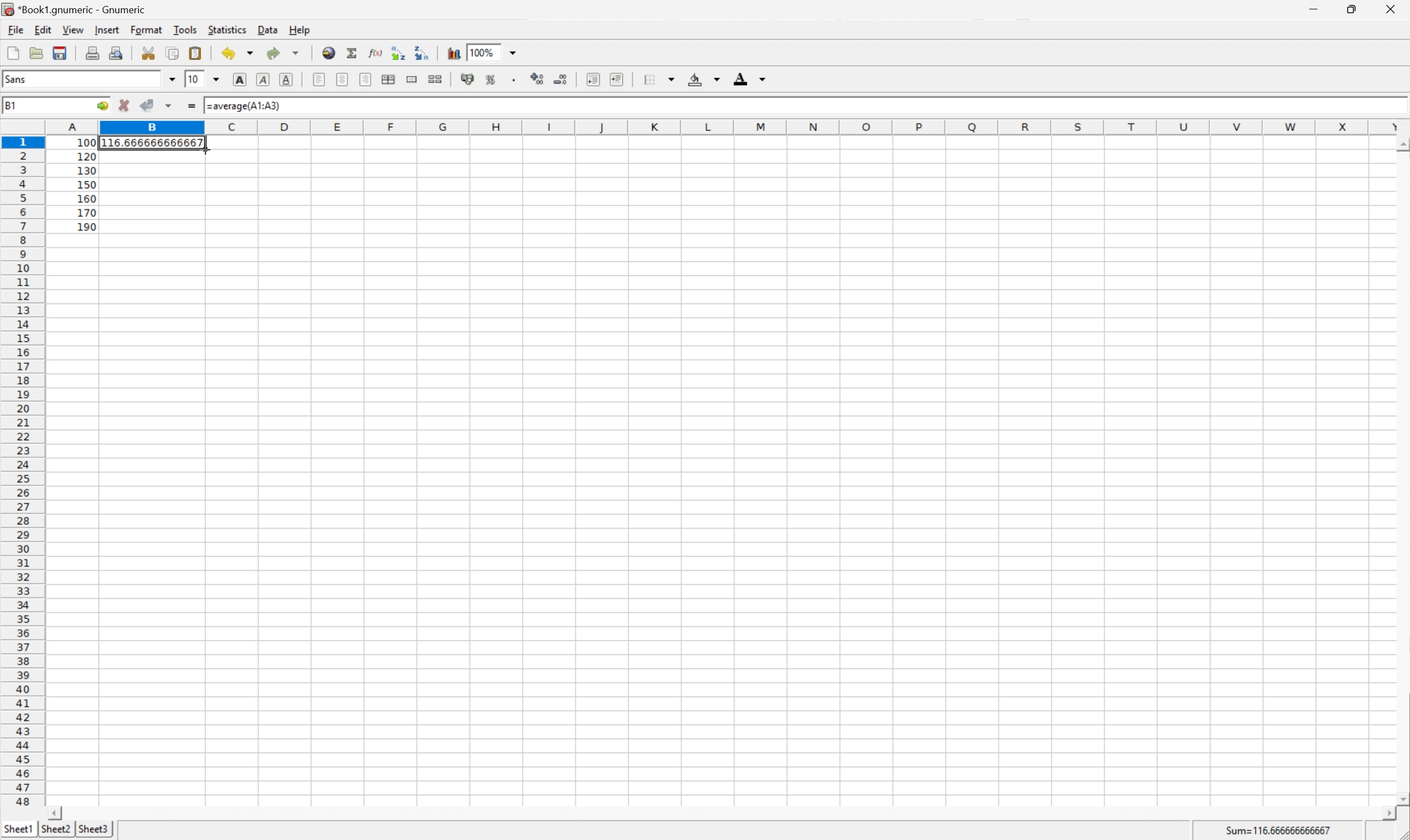  I want to click on Sort the selected region in descending order based on the first column selected, so click(423, 53).